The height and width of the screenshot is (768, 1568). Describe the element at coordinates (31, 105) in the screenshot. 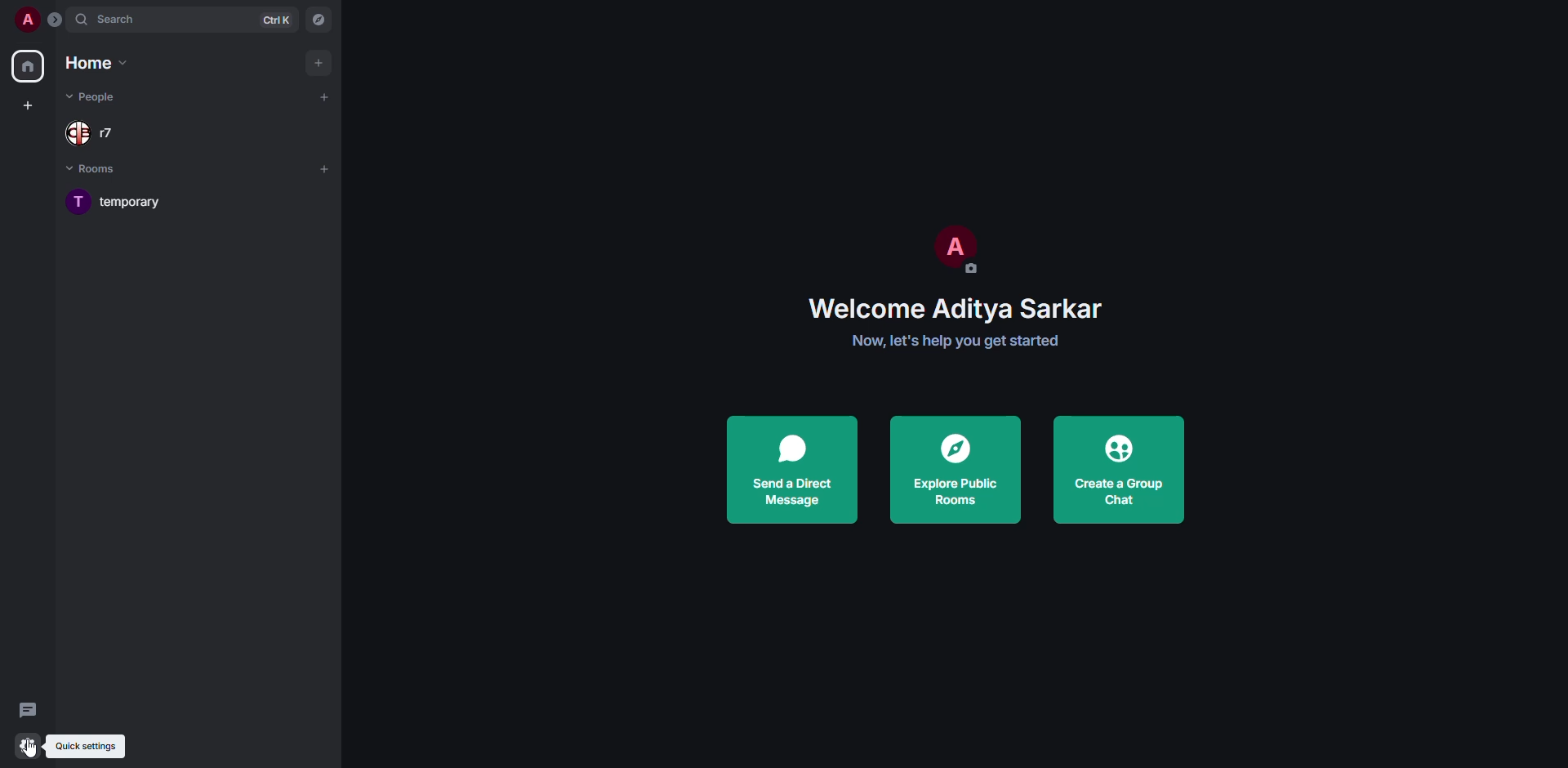

I see `create space` at that location.